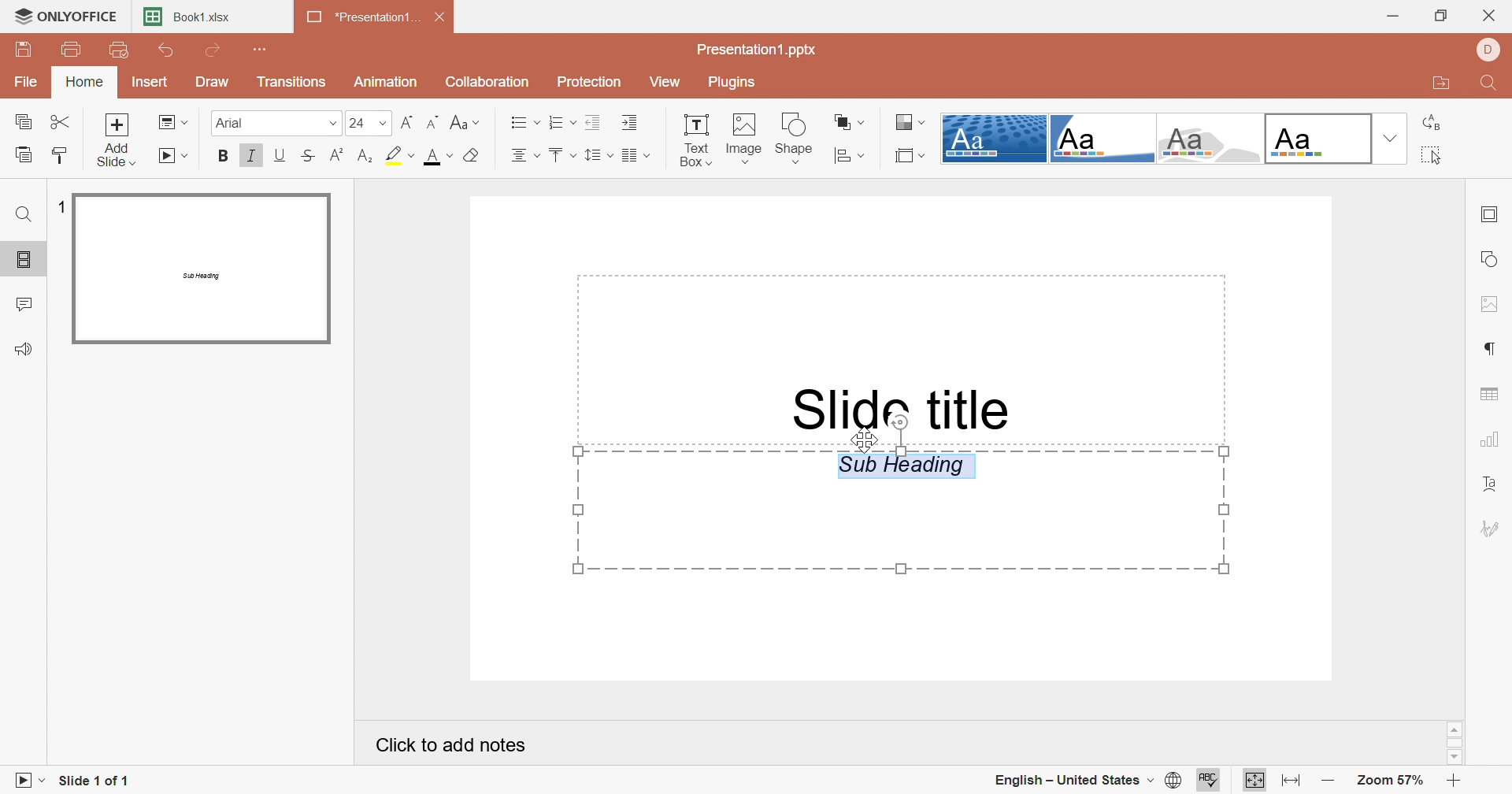  I want to click on Paste, so click(28, 154).